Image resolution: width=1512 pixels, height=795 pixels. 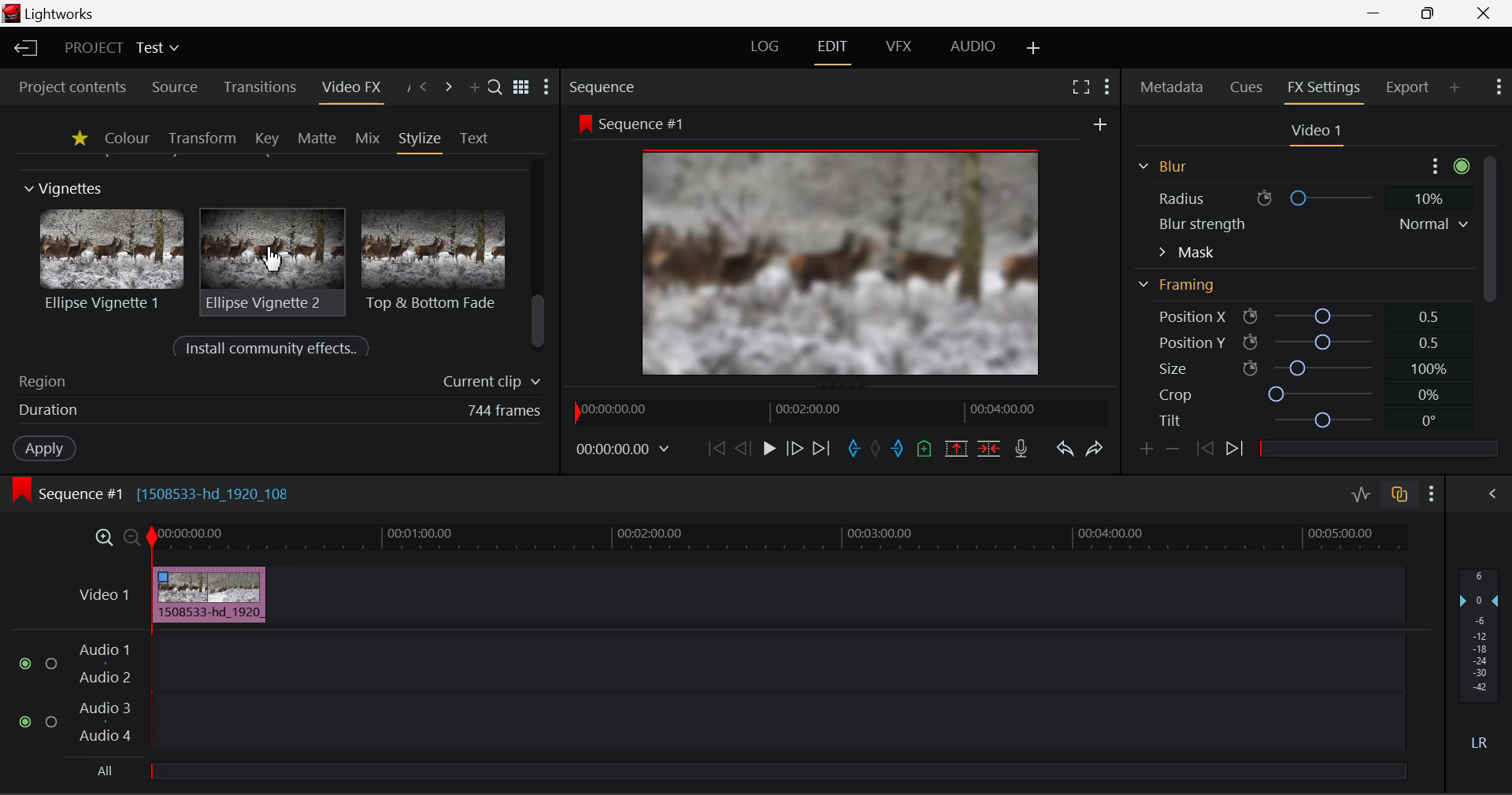 I want to click on cursor, so click(x=271, y=260).